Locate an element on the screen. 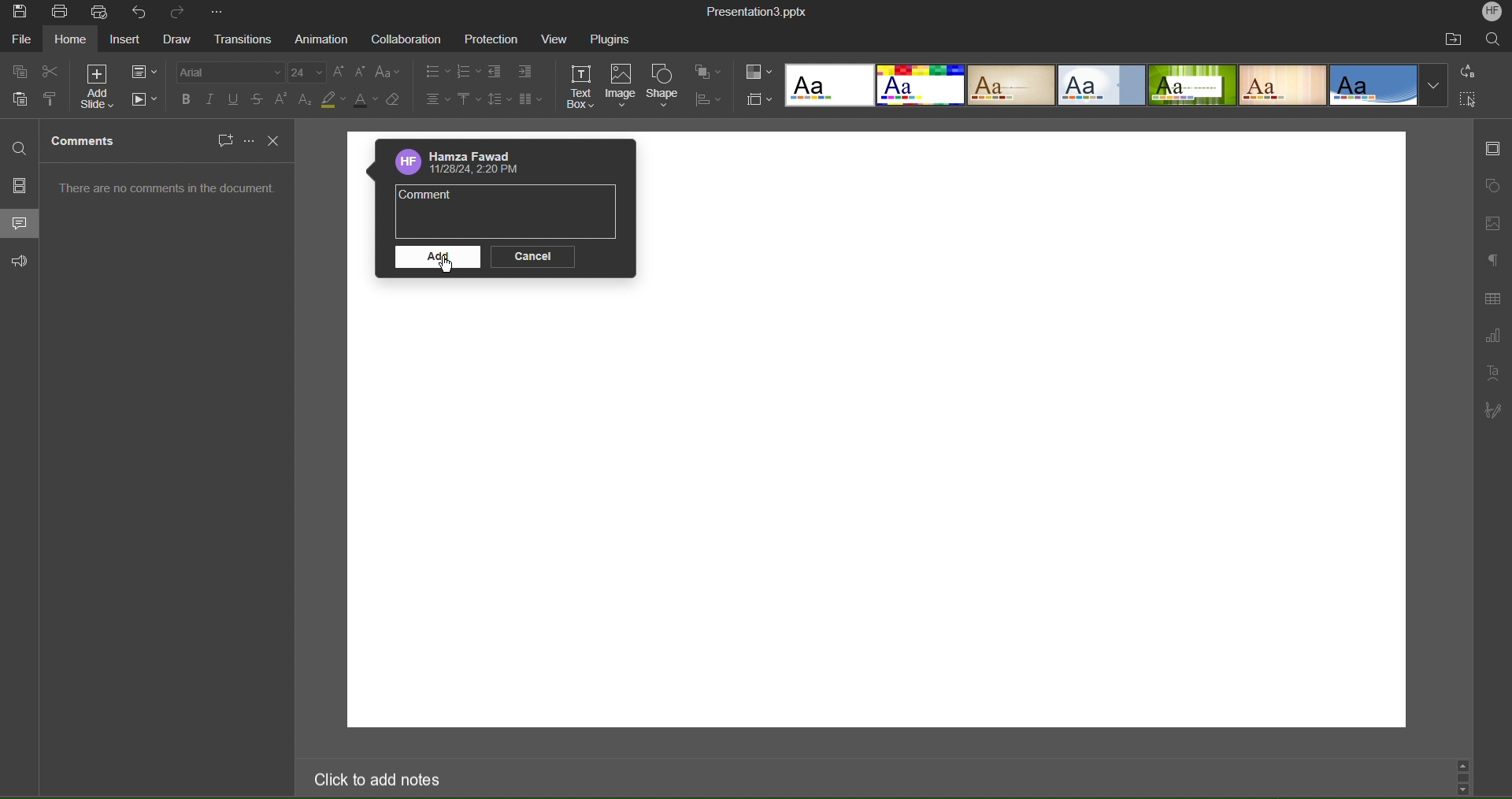 This screenshot has height=799, width=1512. Comments is located at coordinates (86, 142).